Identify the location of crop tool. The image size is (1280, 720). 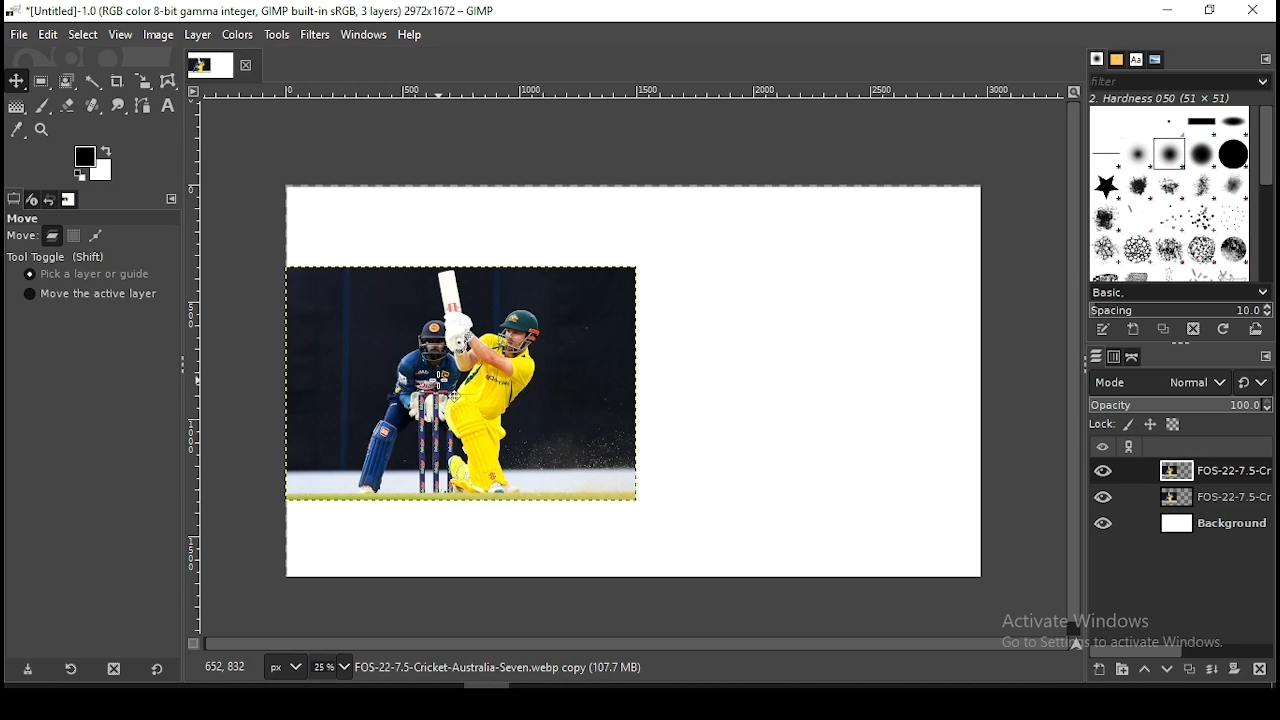
(116, 80).